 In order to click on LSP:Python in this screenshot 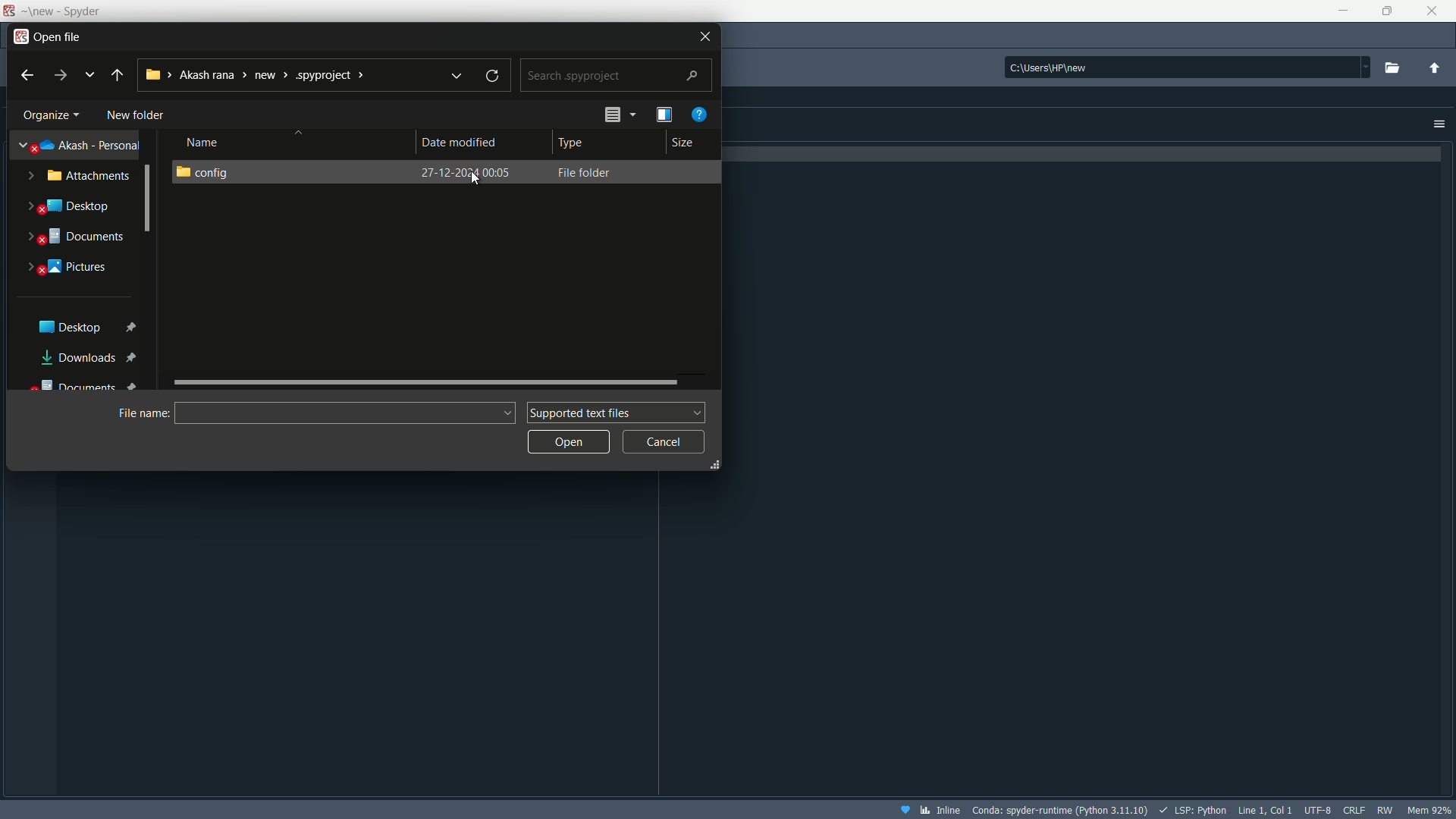, I will do `click(1193, 810)`.